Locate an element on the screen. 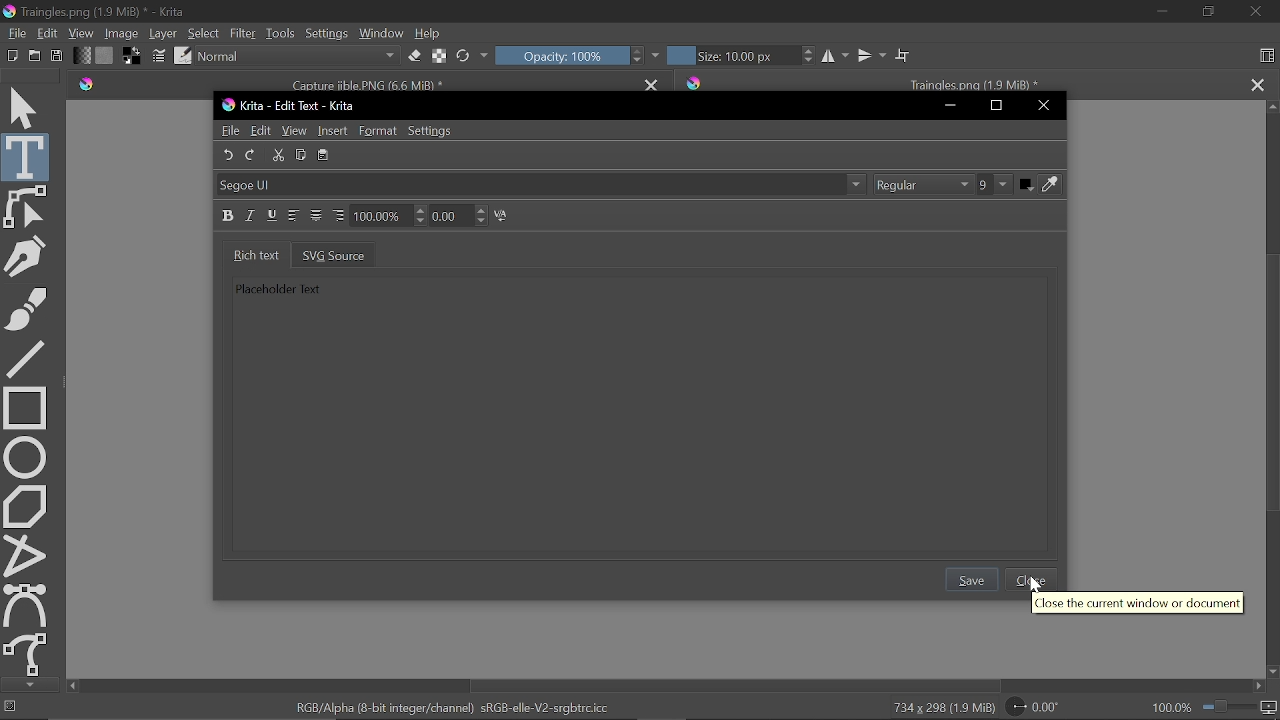 The width and height of the screenshot is (1280, 720). Gradient fill is located at coordinates (80, 57).